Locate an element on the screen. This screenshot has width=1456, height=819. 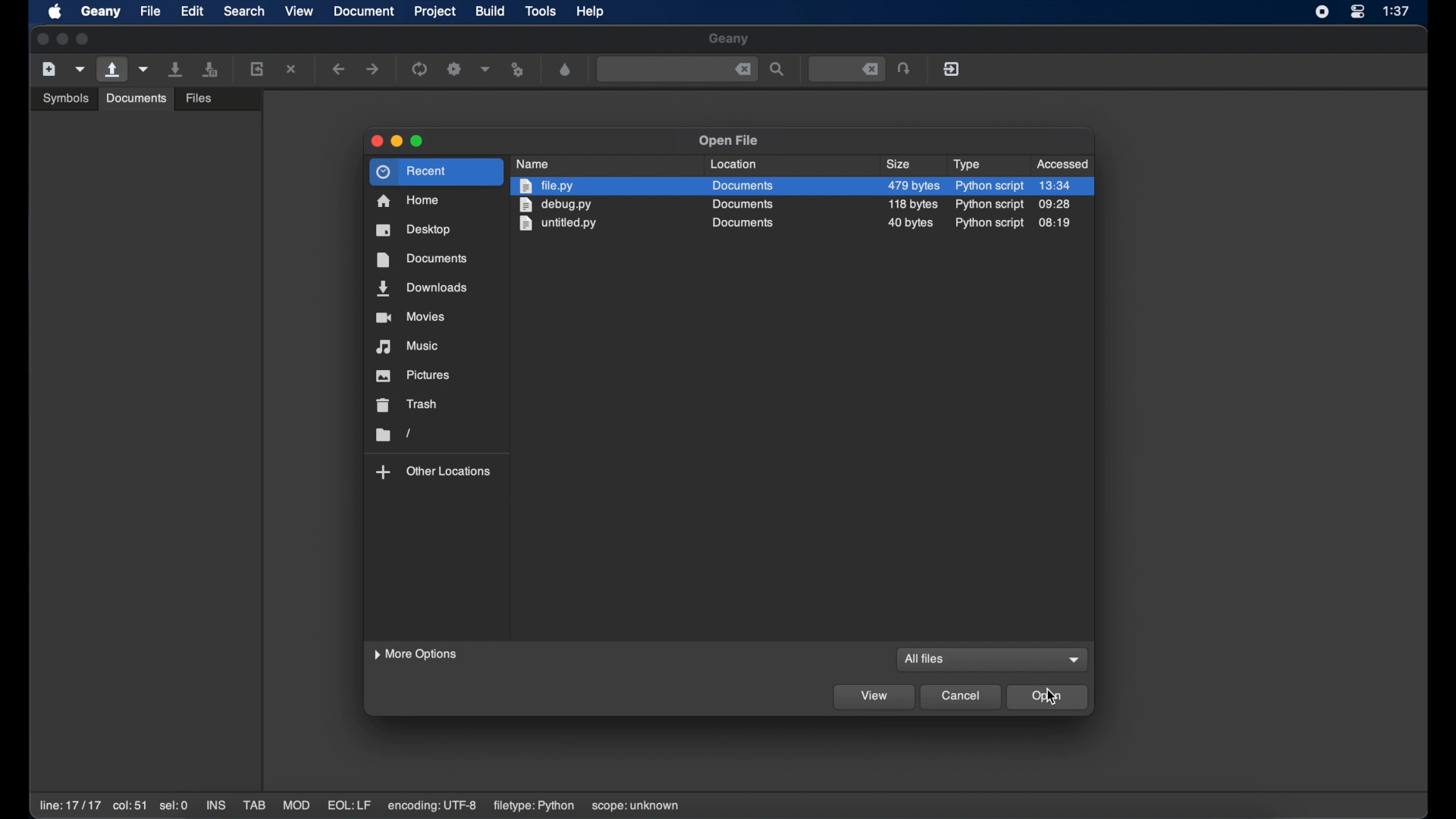
movies is located at coordinates (410, 317).